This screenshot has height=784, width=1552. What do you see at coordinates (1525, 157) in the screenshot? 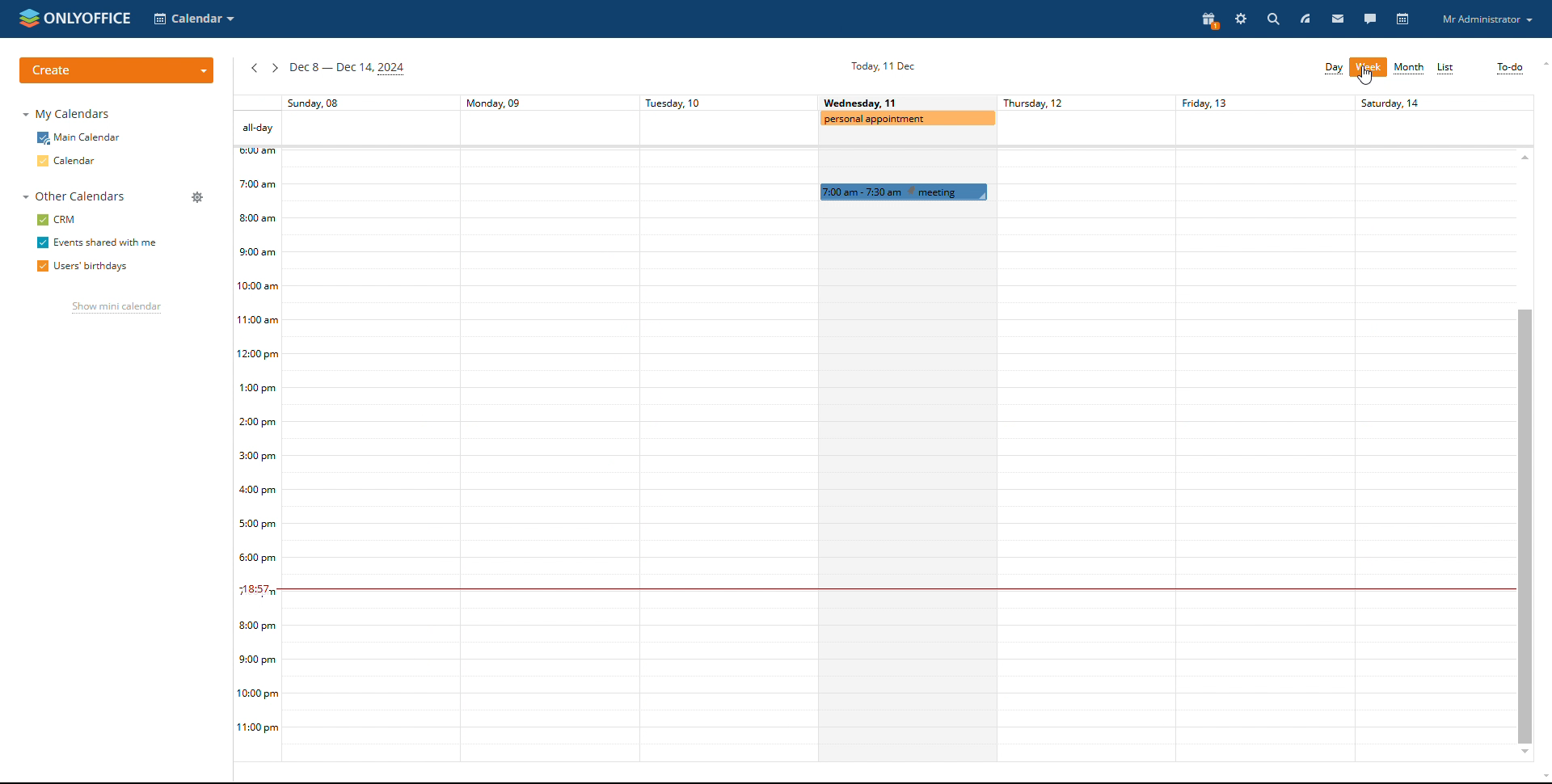
I see `scroll up` at bounding box center [1525, 157].